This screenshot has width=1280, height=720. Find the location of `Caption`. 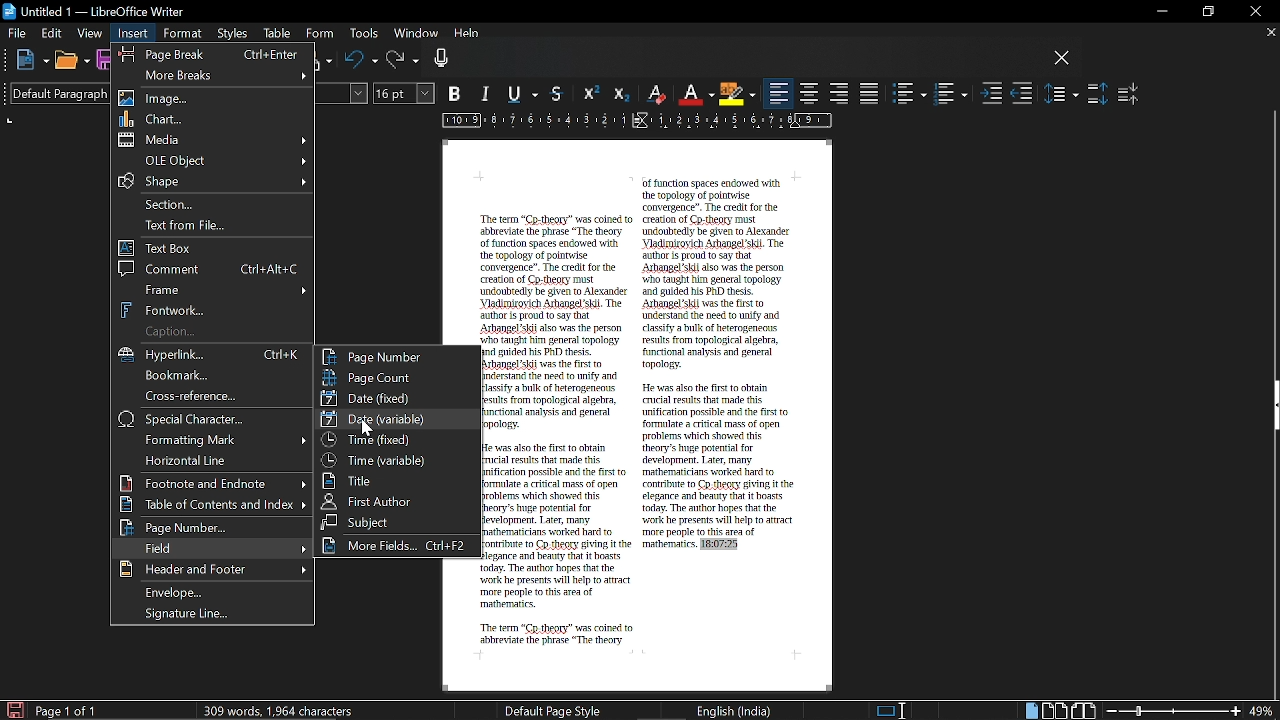

Caption is located at coordinates (211, 332).